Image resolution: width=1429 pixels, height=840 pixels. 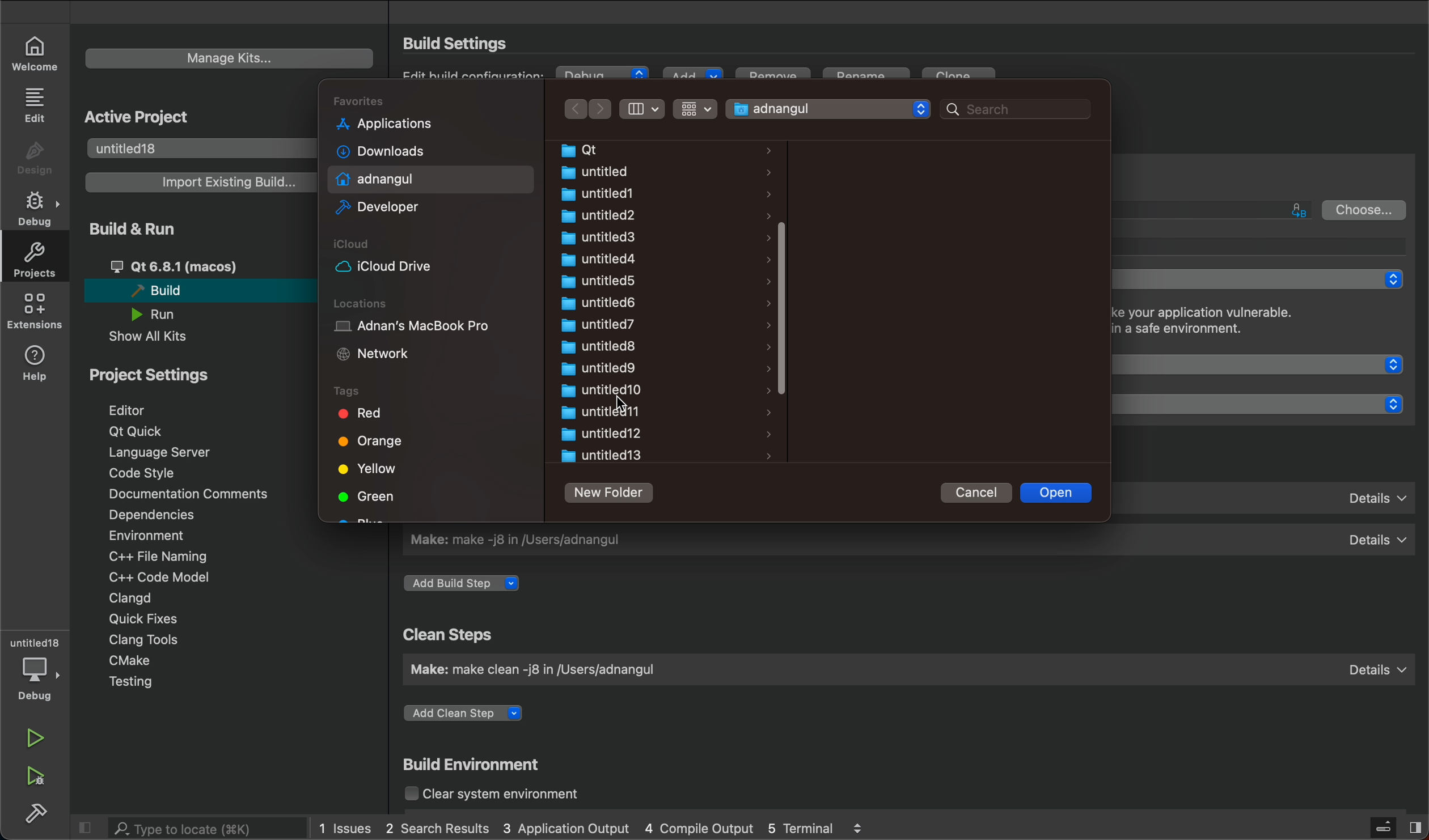 I want to click on clear system environment, so click(x=506, y=796).